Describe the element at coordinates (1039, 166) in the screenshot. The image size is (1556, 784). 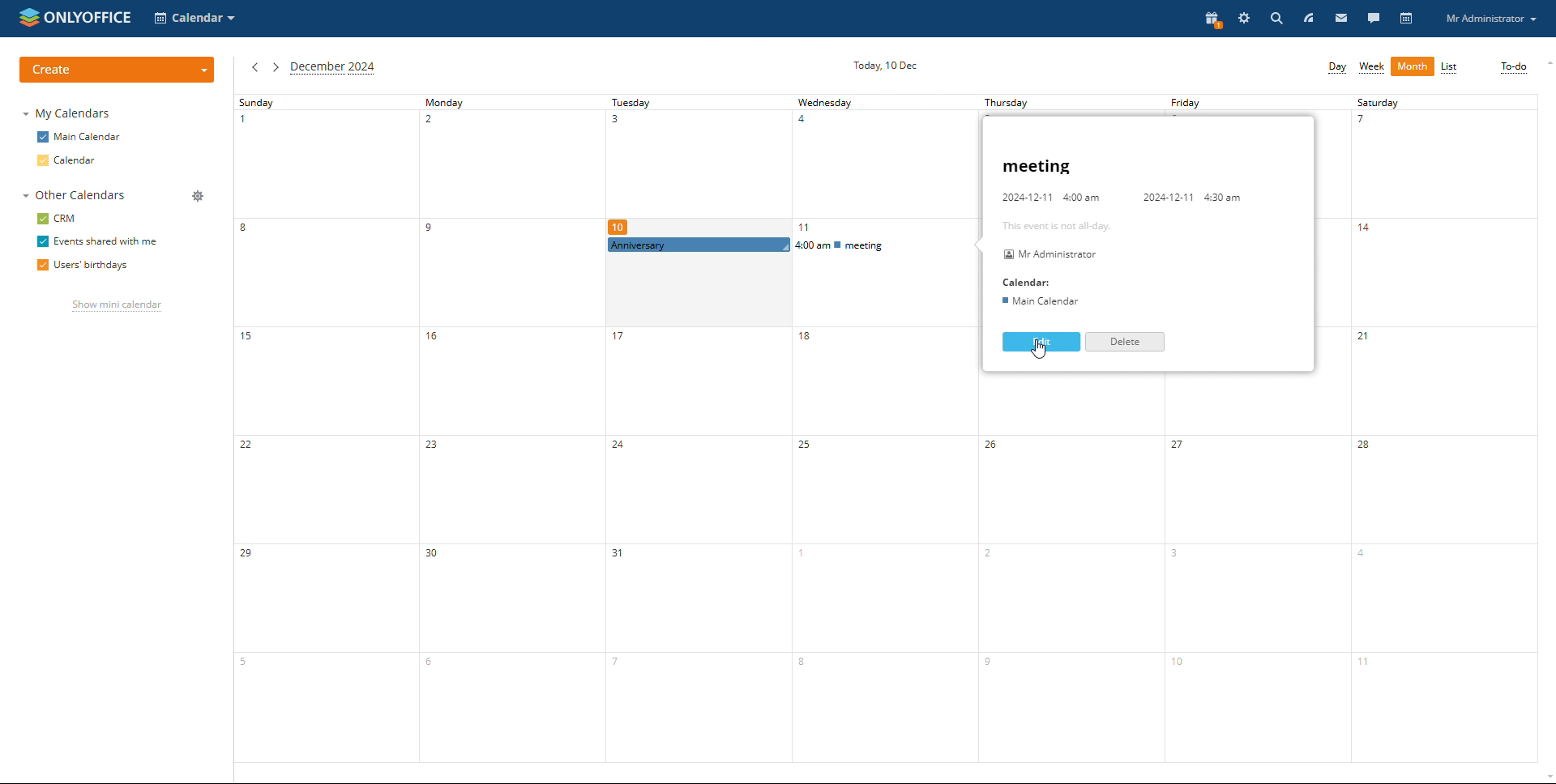
I see `meeting` at that location.